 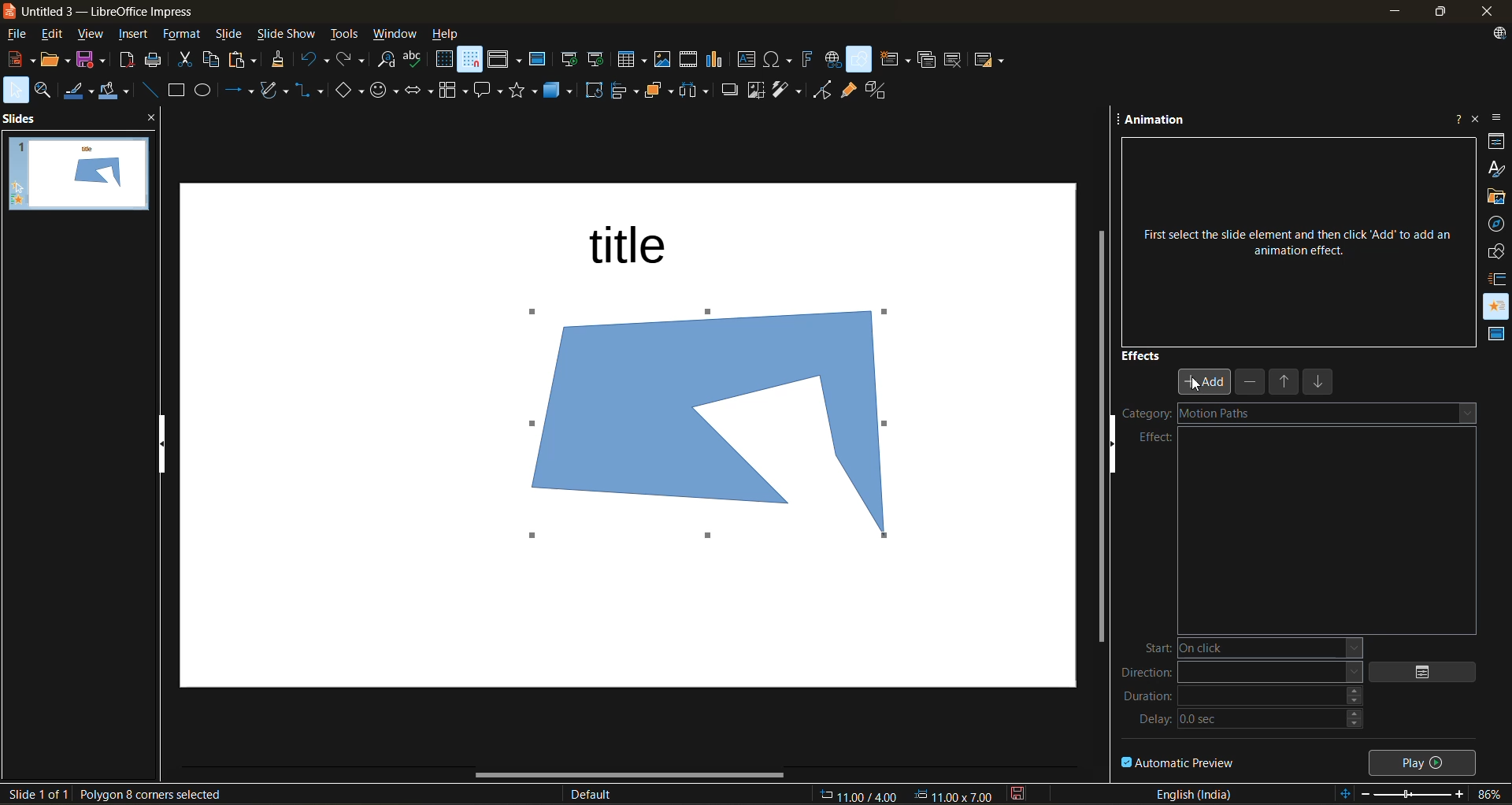 What do you see at coordinates (57, 35) in the screenshot?
I see `edit` at bounding box center [57, 35].